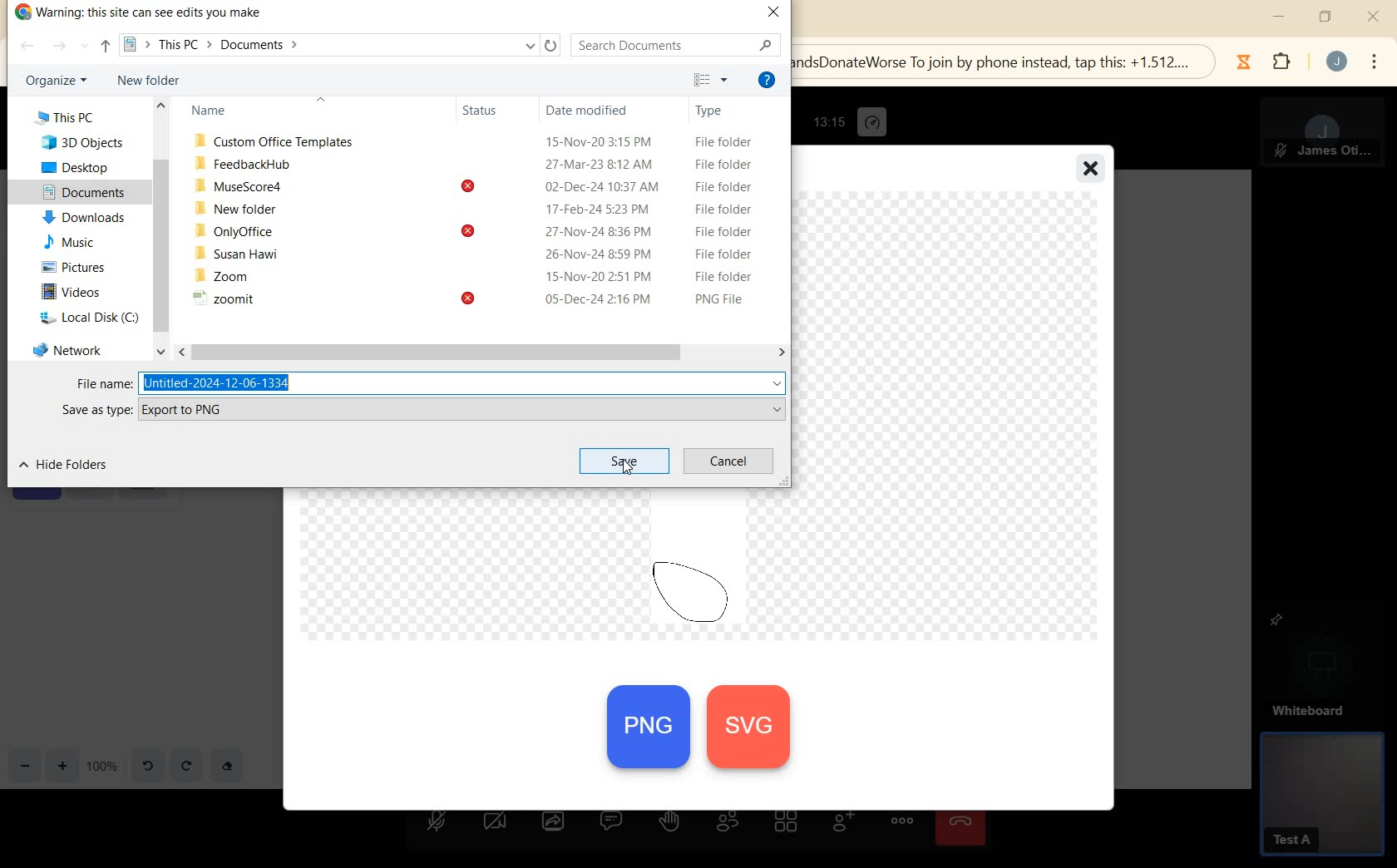  I want to click on Jibble, so click(1246, 62).